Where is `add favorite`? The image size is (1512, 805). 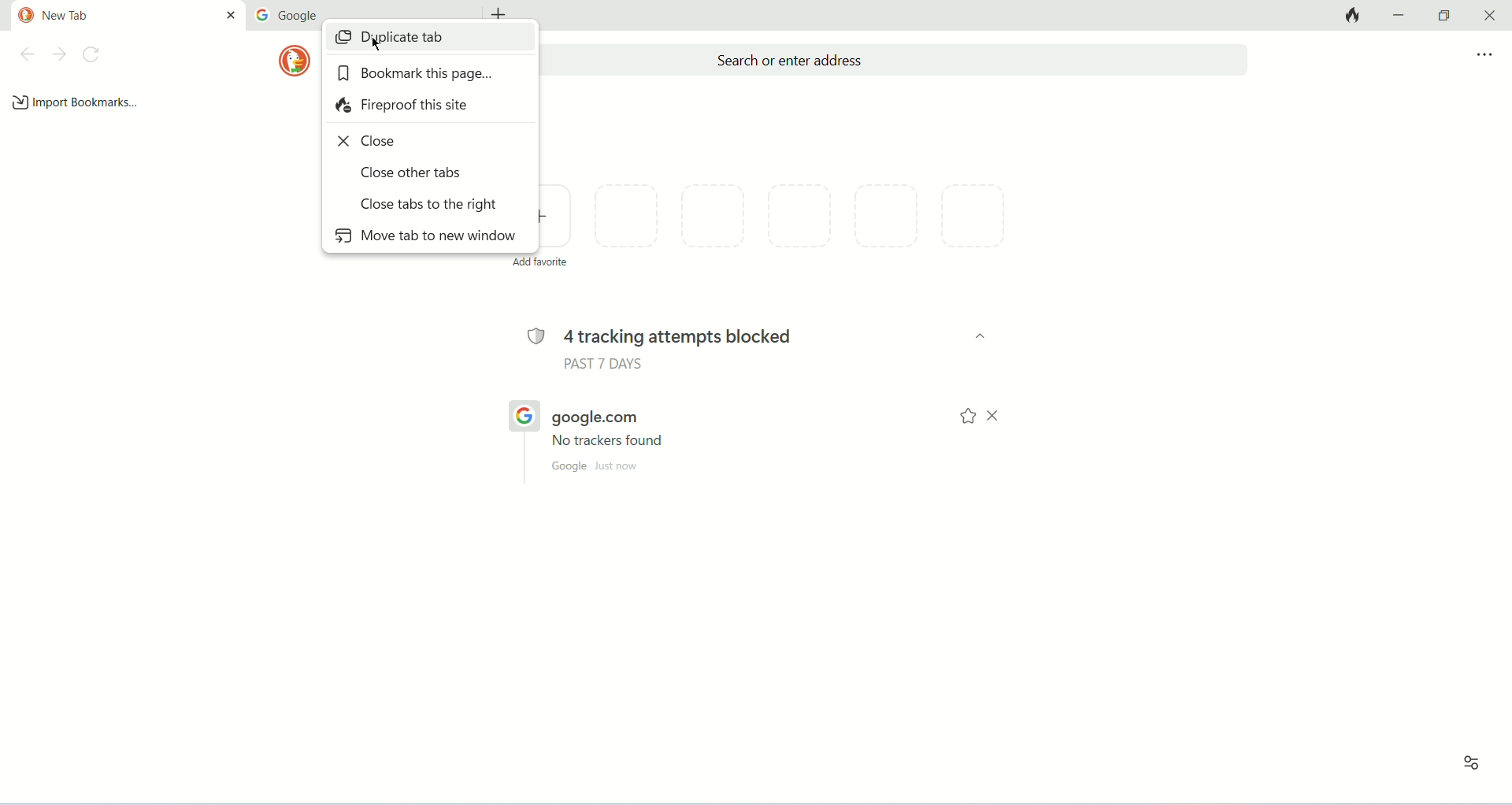 add favorite is located at coordinates (556, 221).